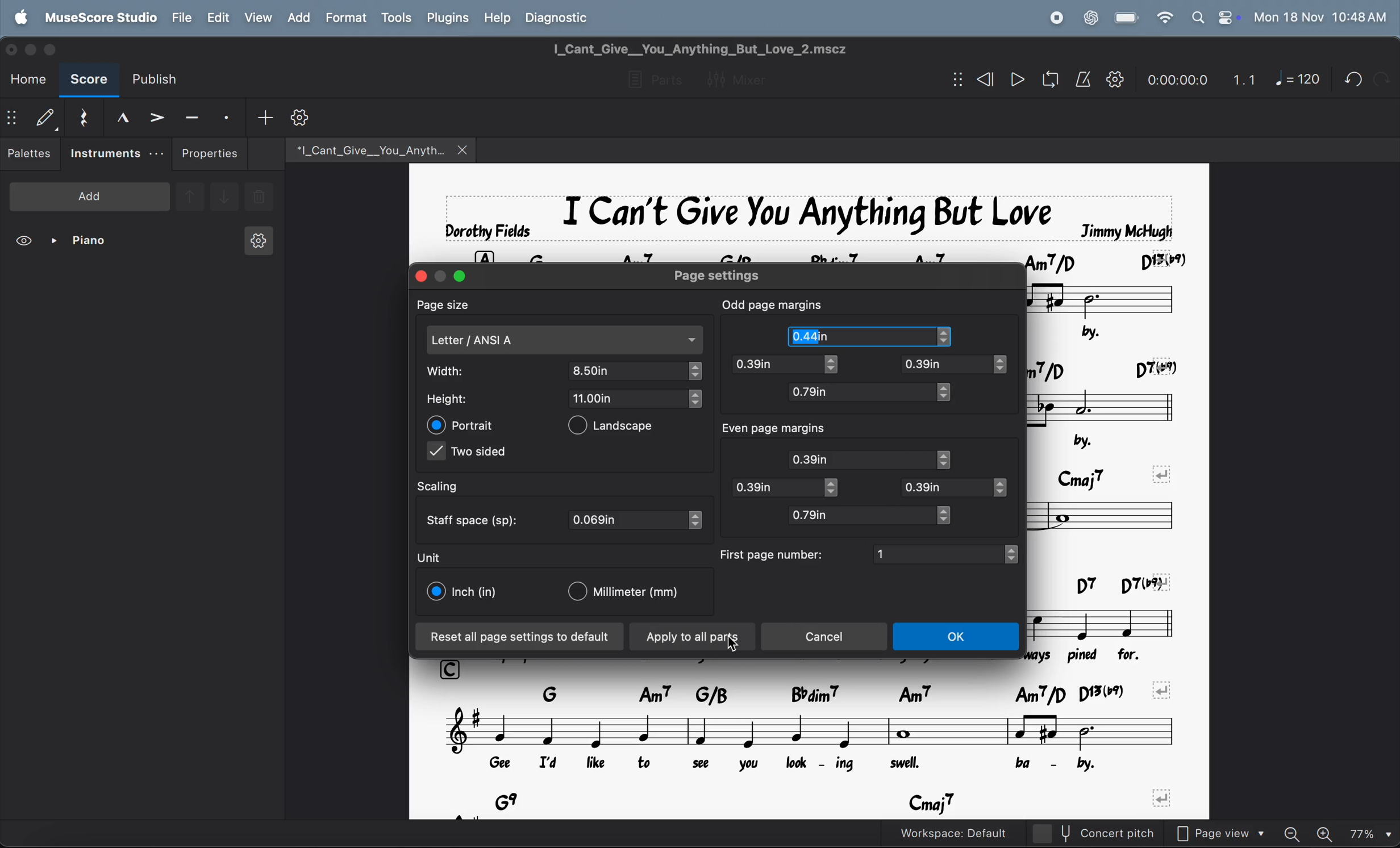 The image size is (1400, 848). Describe the element at coordinates (1115, 298) in the screenshot. I see `notes` at that location.